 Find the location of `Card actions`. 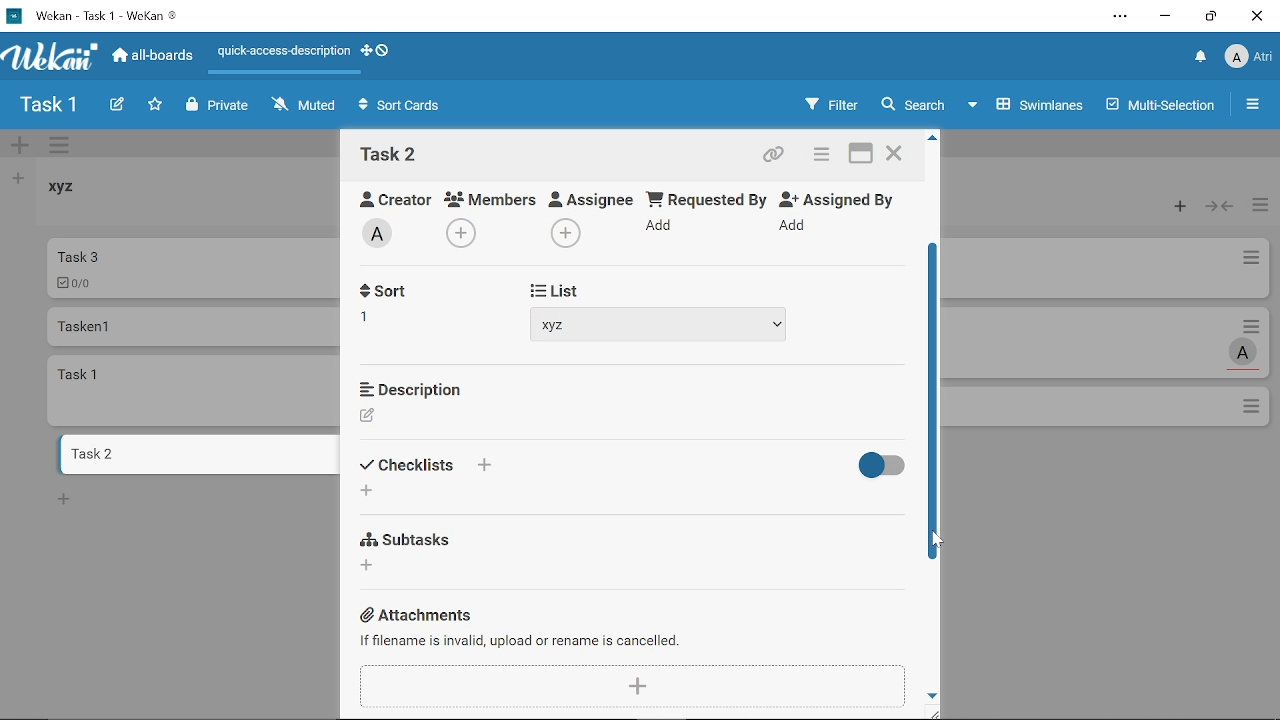

Card actions is located at coordinates (1256, 325).